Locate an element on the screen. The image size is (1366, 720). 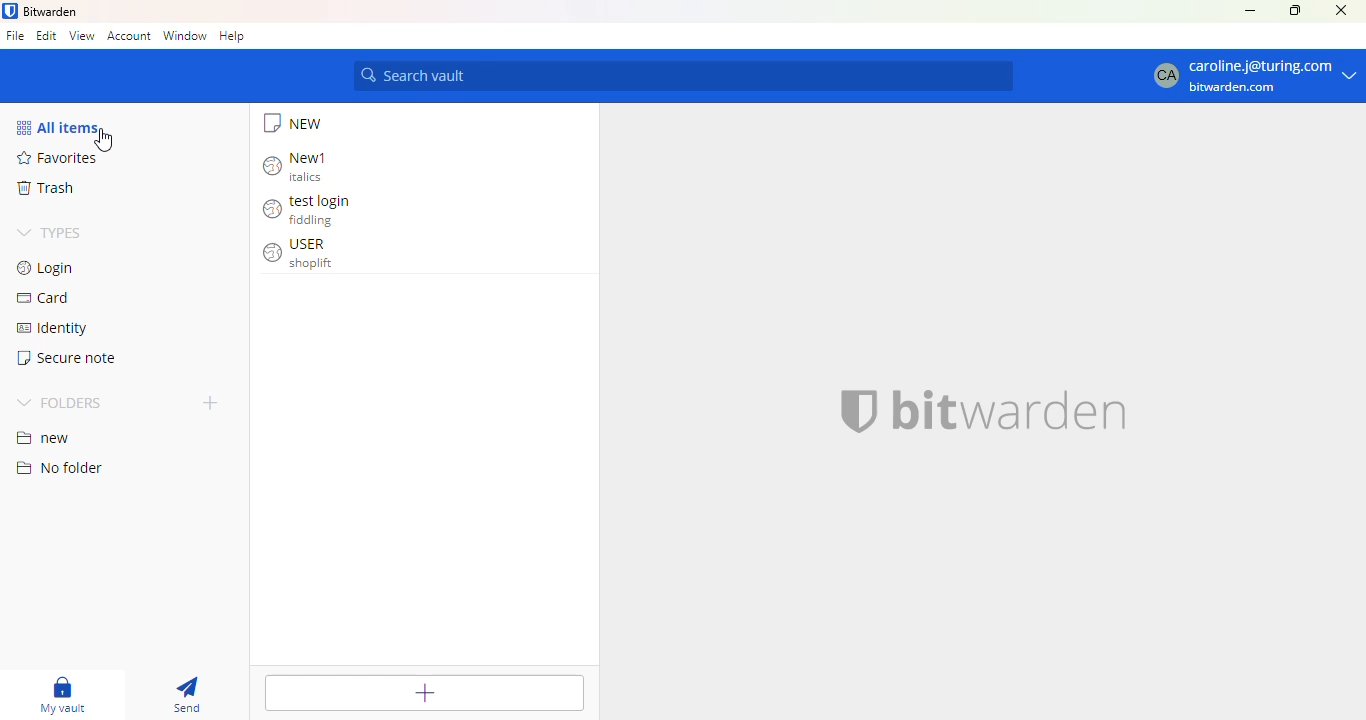
New1 italics is located at coordinates (293, 167).